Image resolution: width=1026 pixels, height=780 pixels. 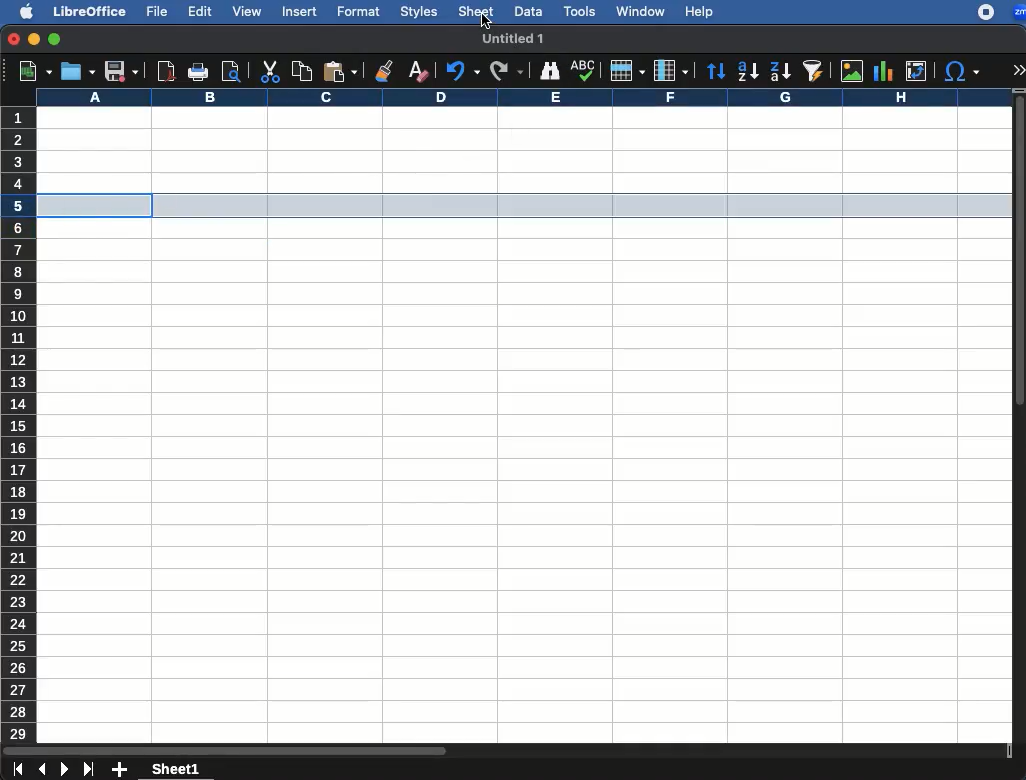 What do you see at coordinates (62, 770) in the screenshot?
I see `next sheet` at bounding box center [62, 770].